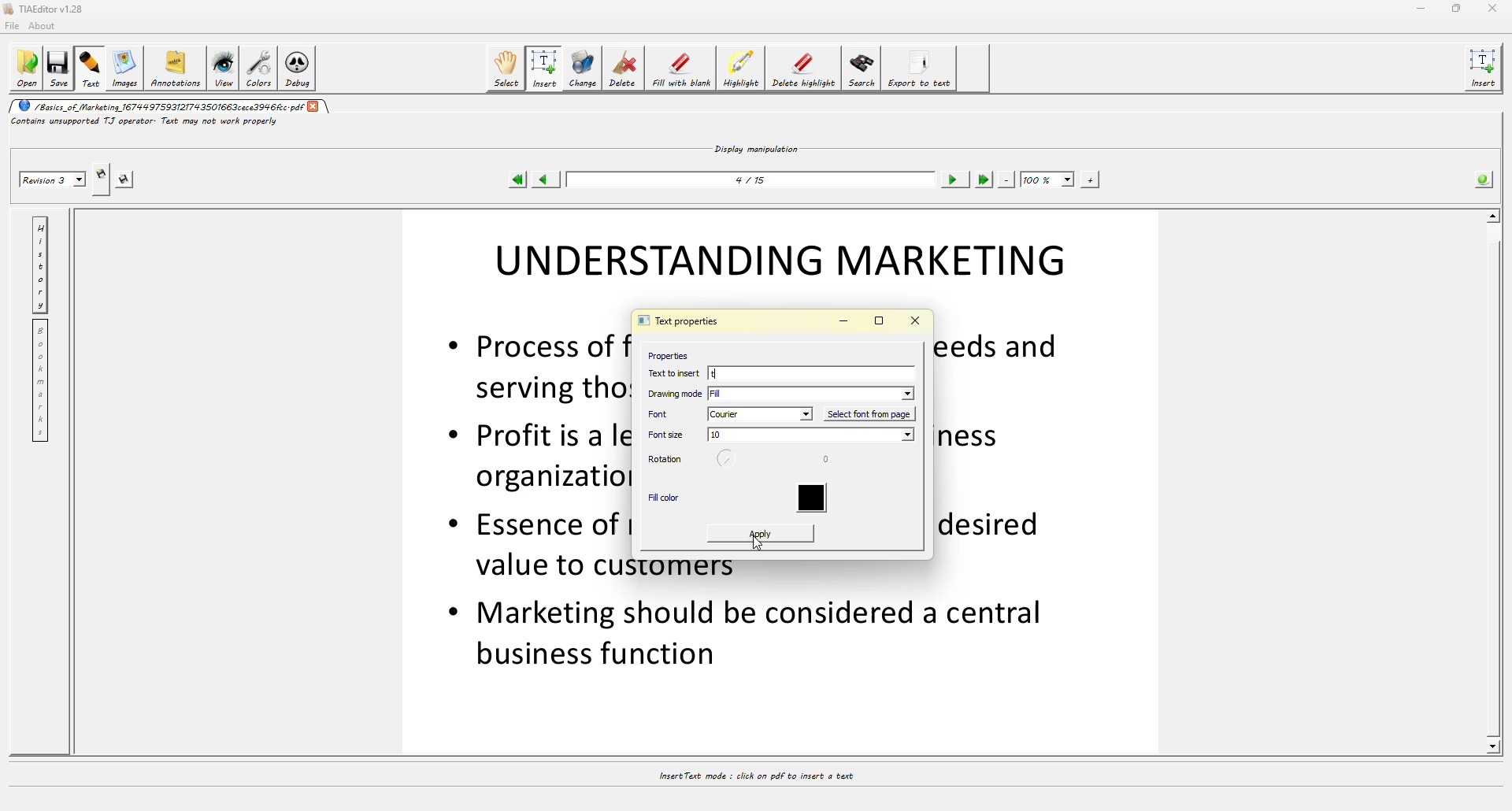  I want to click on maximize, so click(879, 321).